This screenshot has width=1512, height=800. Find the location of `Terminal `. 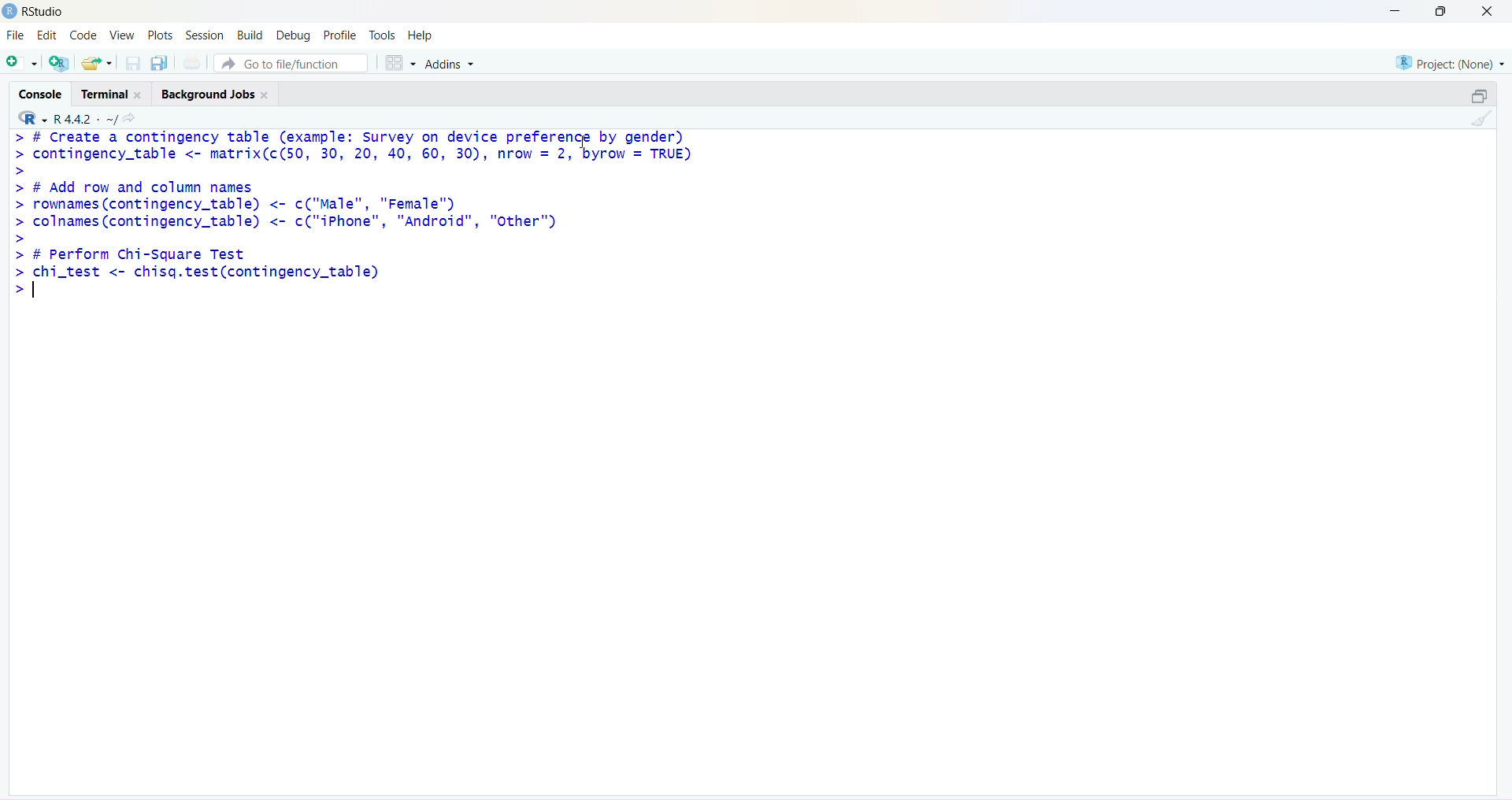

Terminal  is located at coordinates (104, 94).